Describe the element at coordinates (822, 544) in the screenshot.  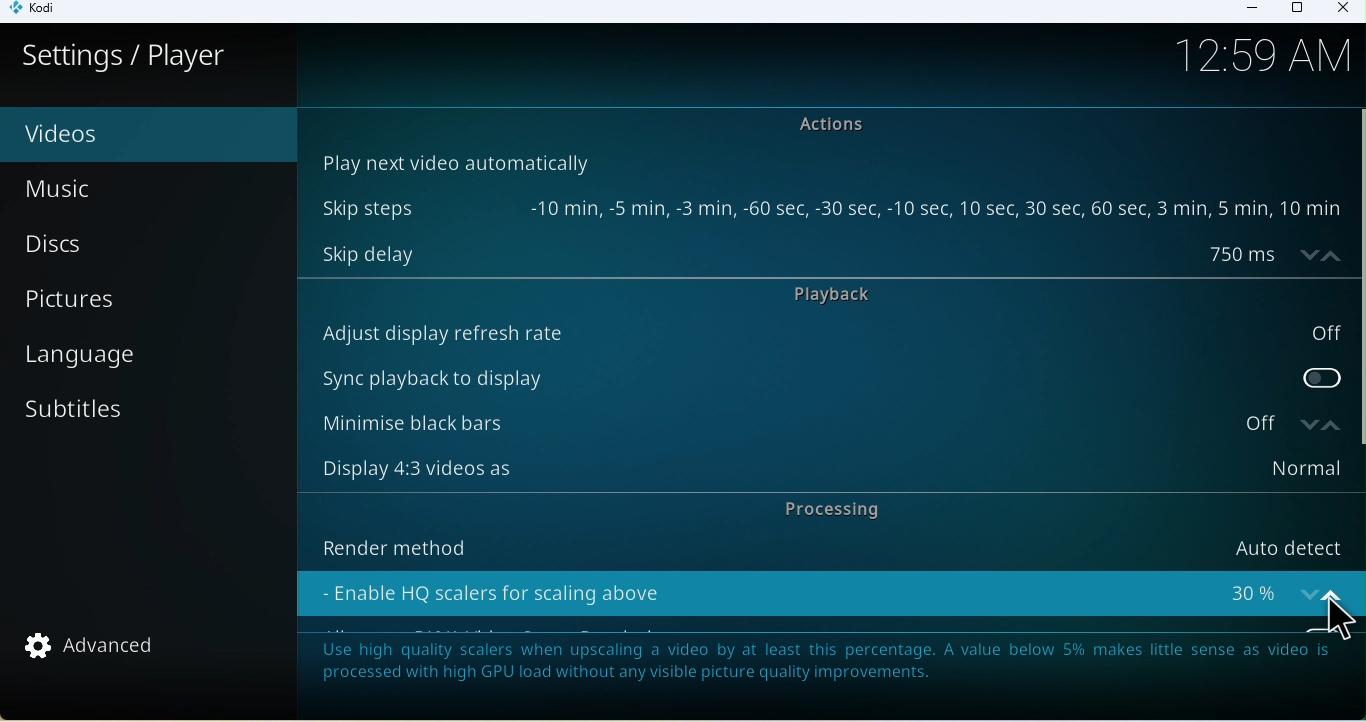
I see `Render method` at that location.